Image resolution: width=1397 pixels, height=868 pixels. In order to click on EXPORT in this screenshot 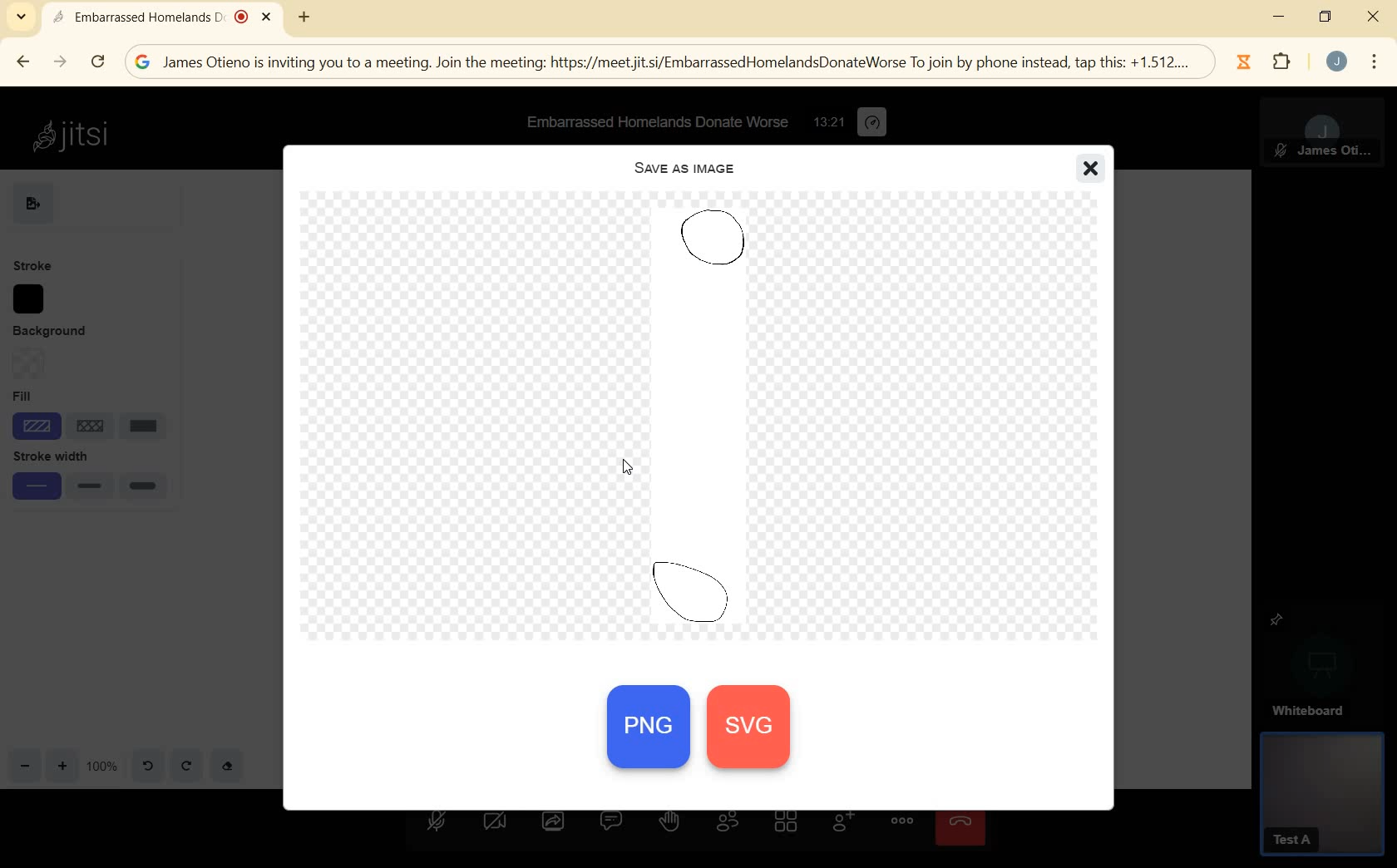, I will do `click(34, 203)`.